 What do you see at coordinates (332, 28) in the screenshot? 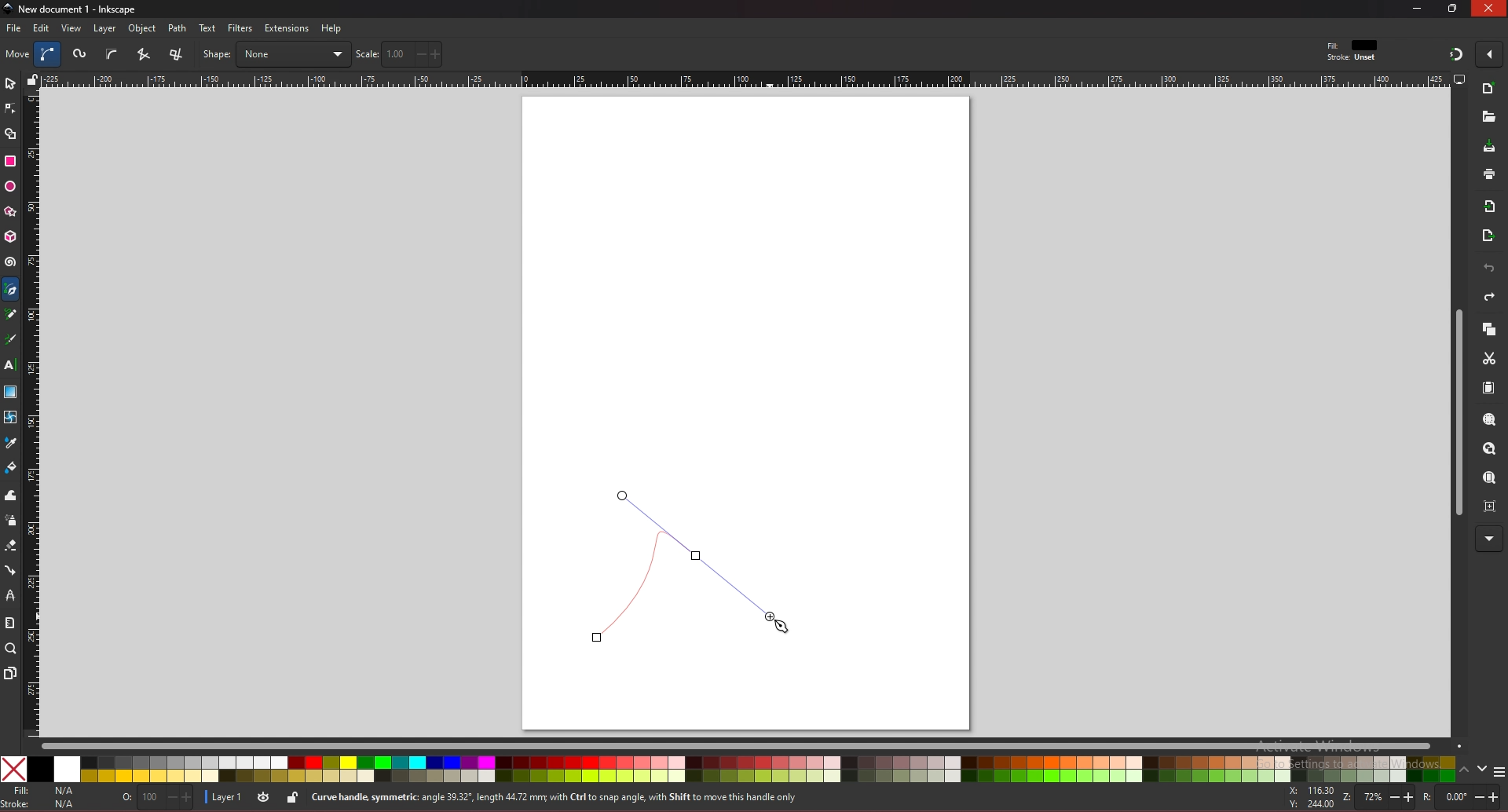
I see `help` at bounding box center [332, 28].